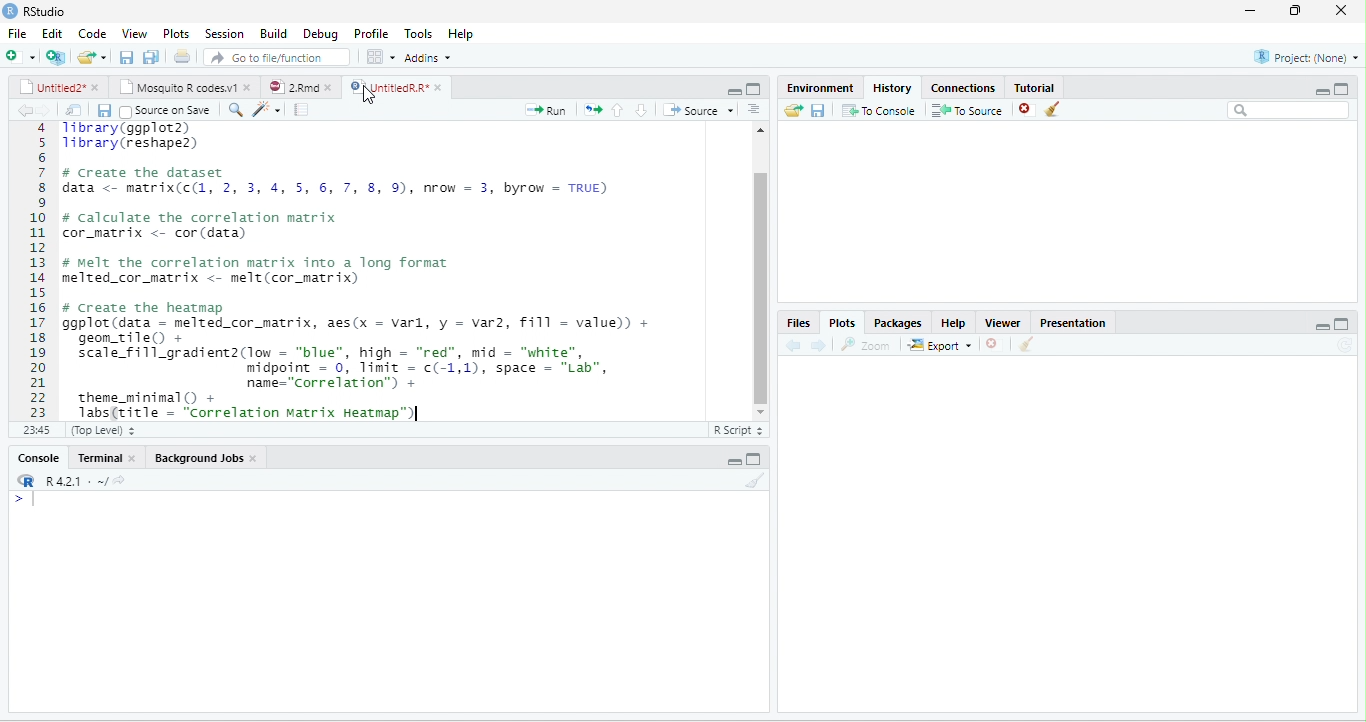 This screenshot has width=1366, height=722. I want to click on view, so click(136, 33).